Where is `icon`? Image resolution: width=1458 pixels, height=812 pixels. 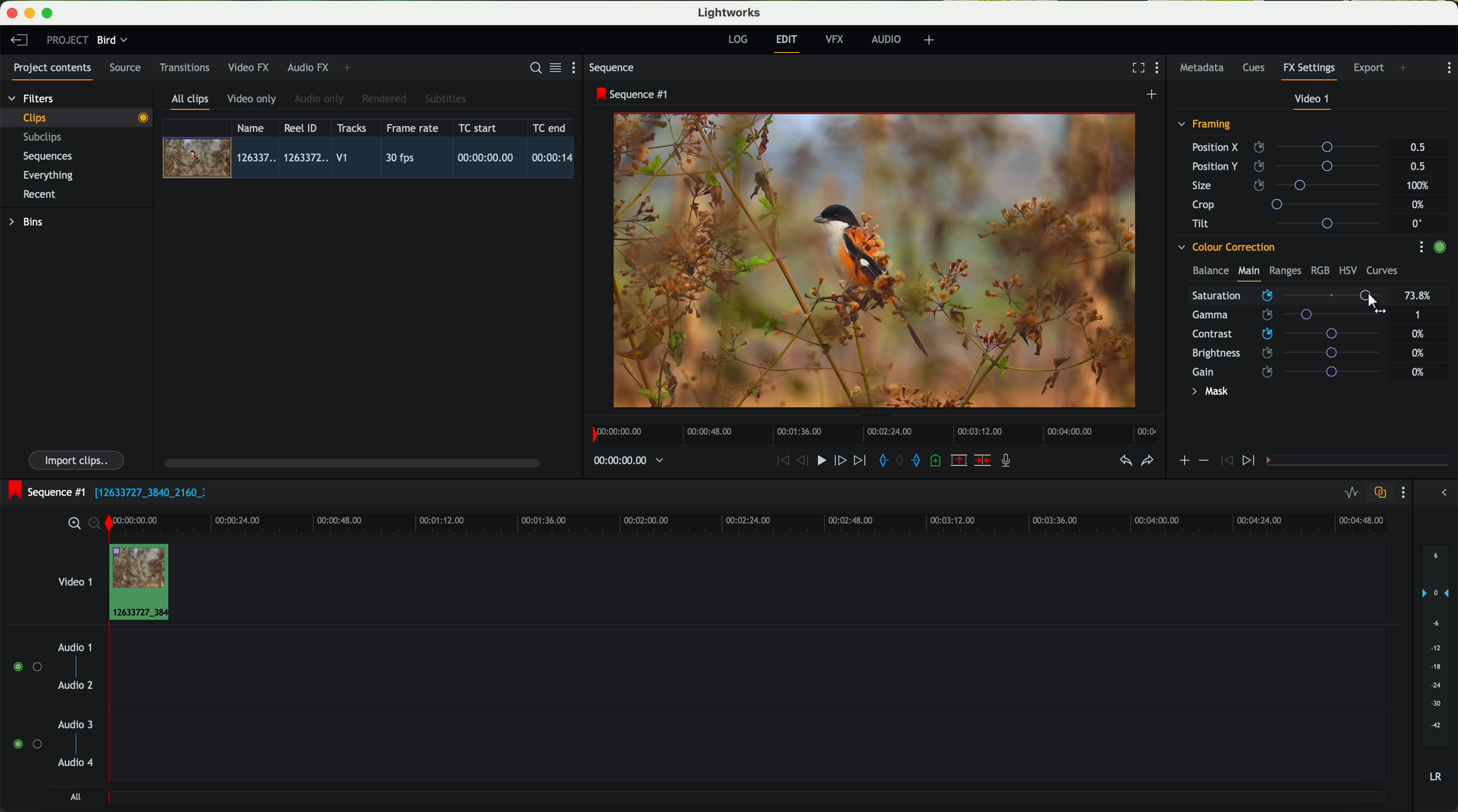
icon is located at coordinates (1225, 461).